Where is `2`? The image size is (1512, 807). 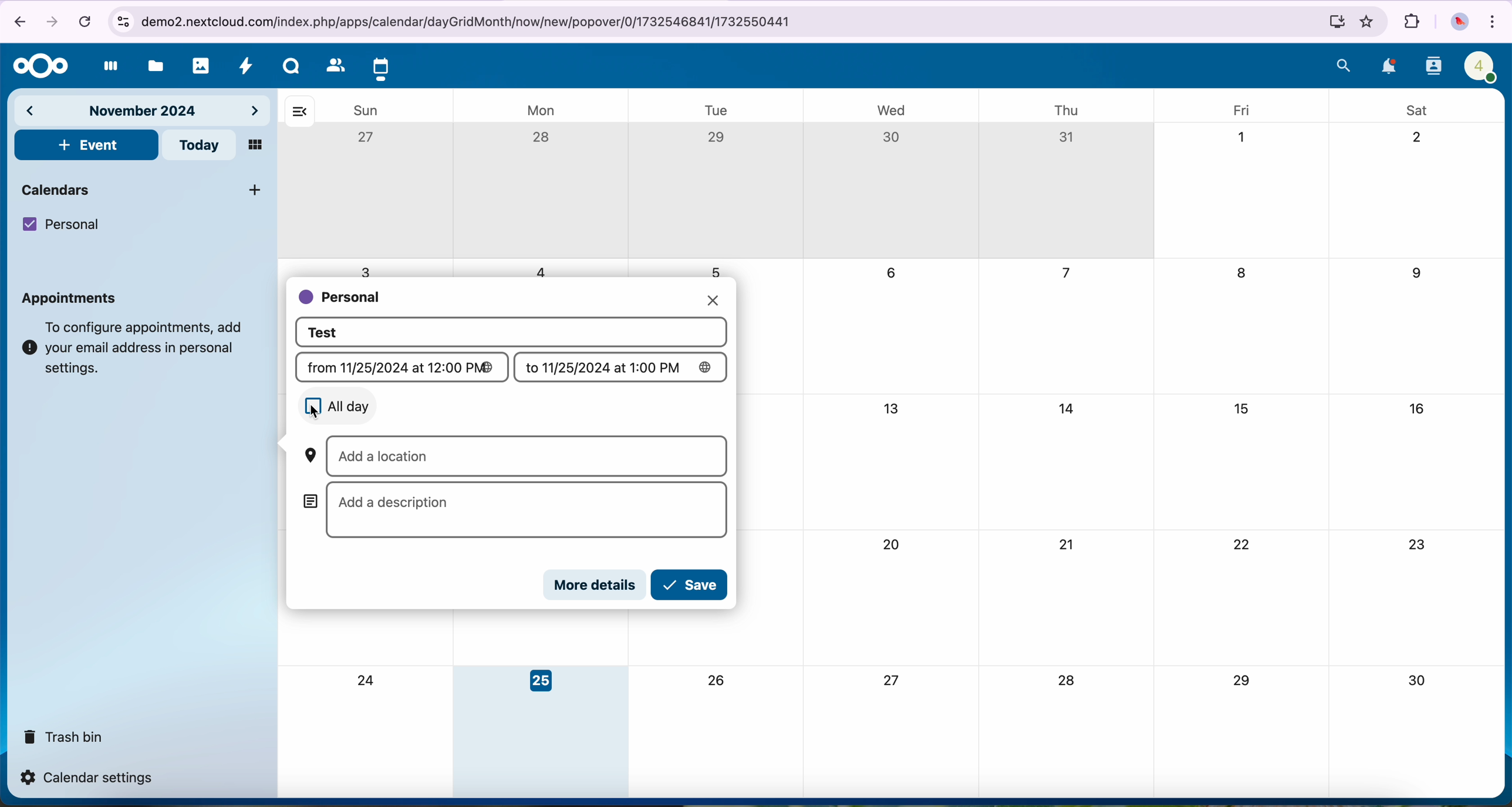 2 is located at coordinates (1418, 138).